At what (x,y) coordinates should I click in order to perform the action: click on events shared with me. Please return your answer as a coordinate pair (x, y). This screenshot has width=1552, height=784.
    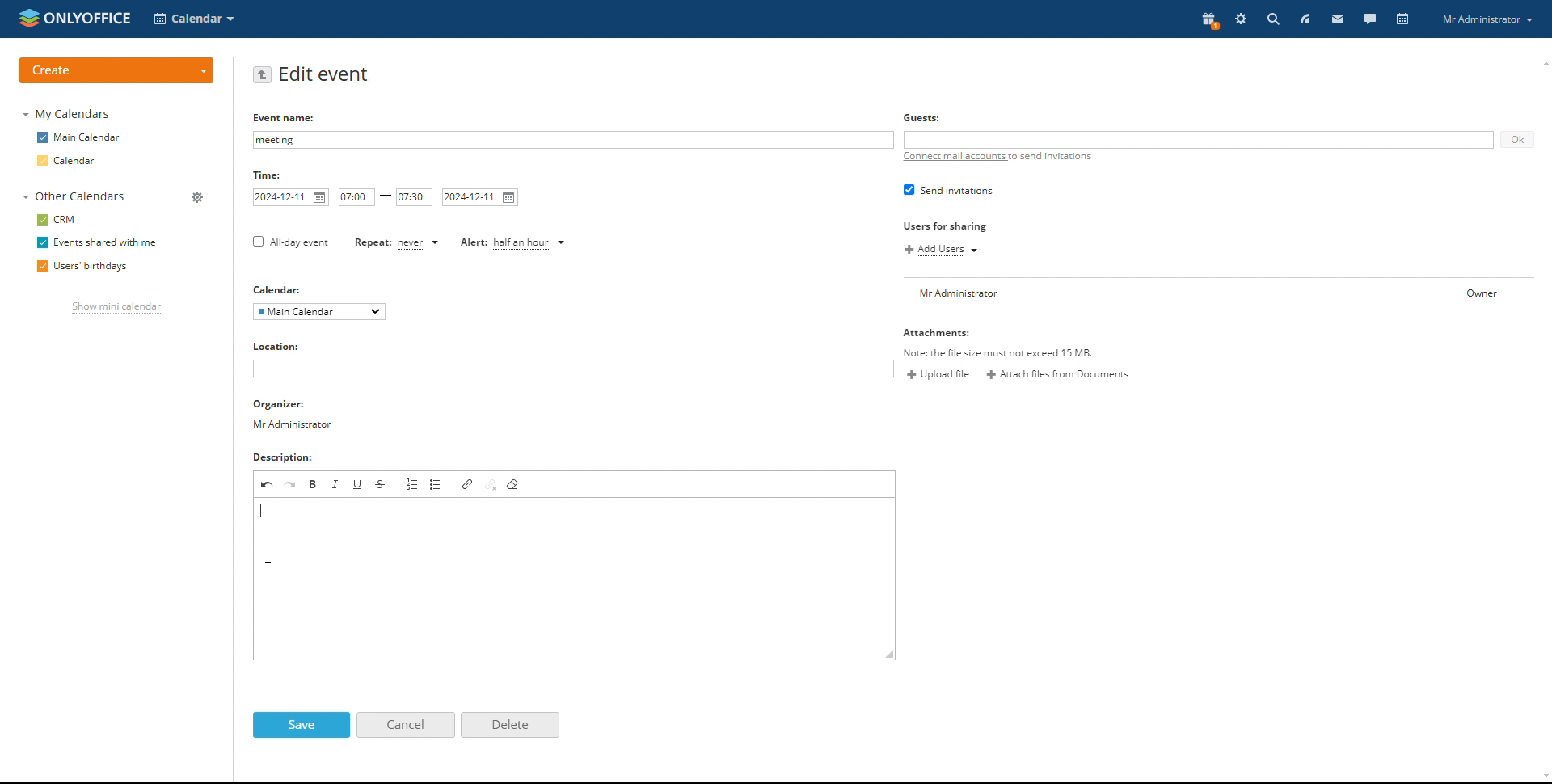
    Looking at the image, I should click on (96, 243).